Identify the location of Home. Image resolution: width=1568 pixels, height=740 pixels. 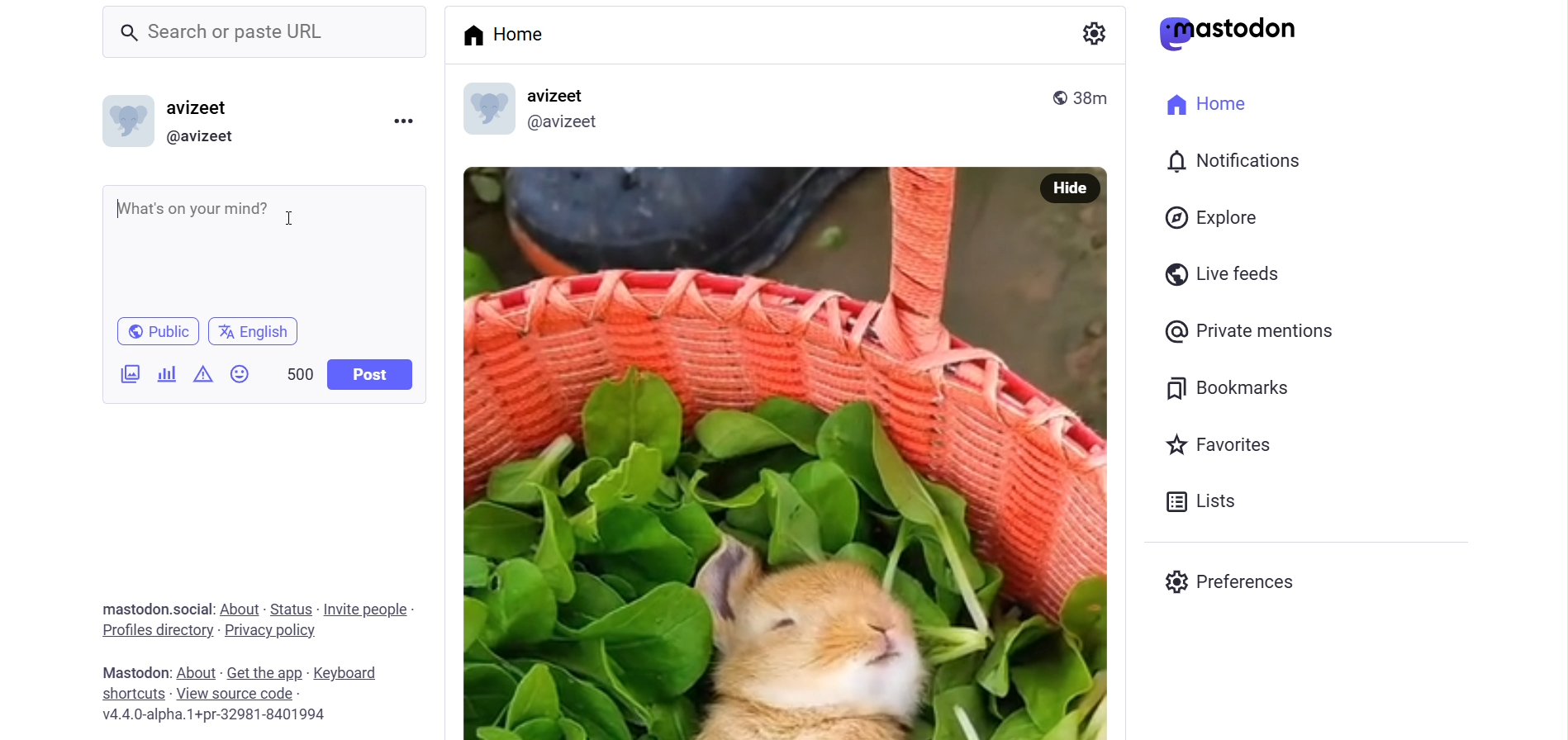
(506, 32).